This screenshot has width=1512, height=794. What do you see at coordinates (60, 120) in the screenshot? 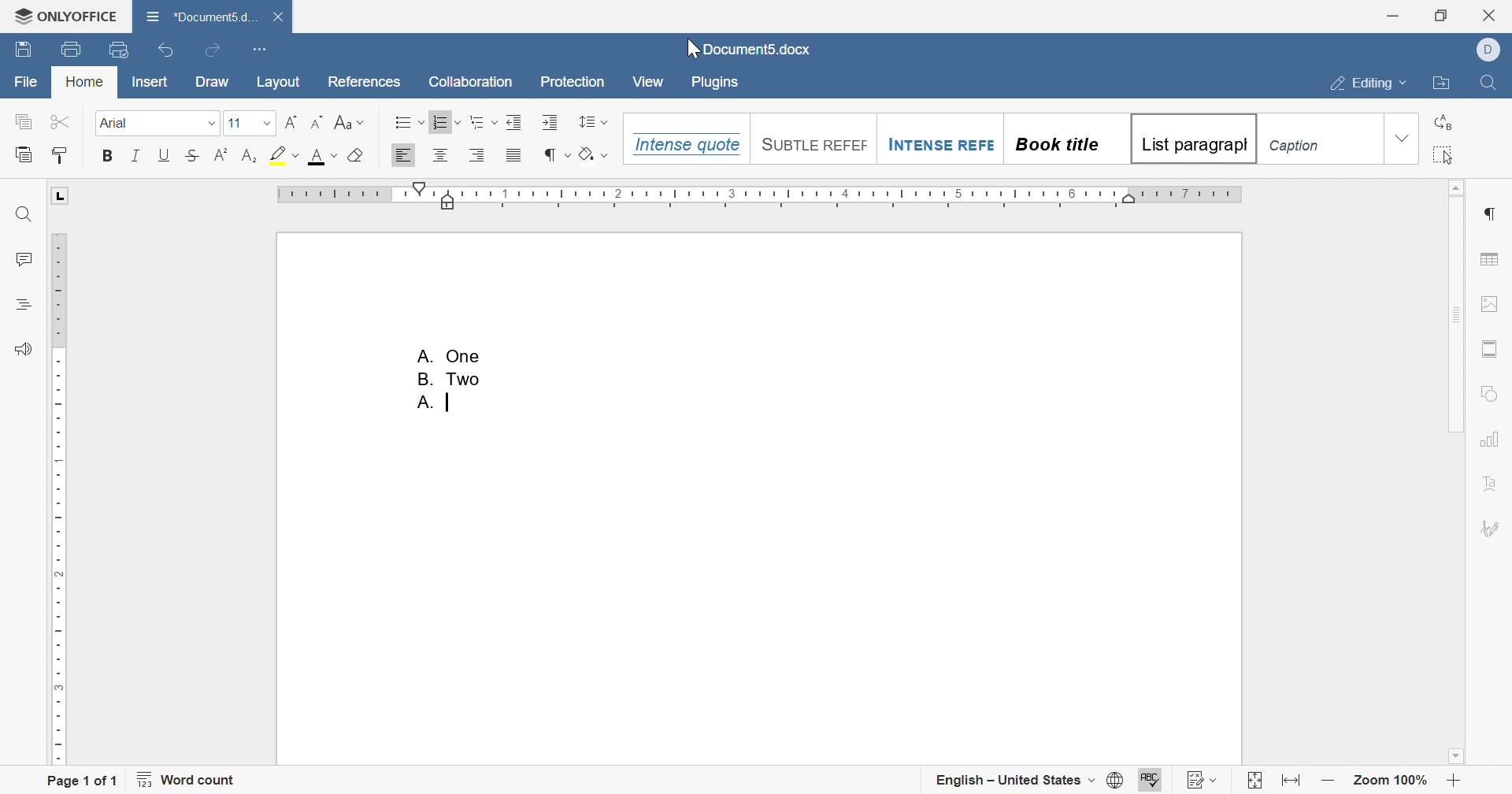
I see `cut` at bounding box center [60, 120].